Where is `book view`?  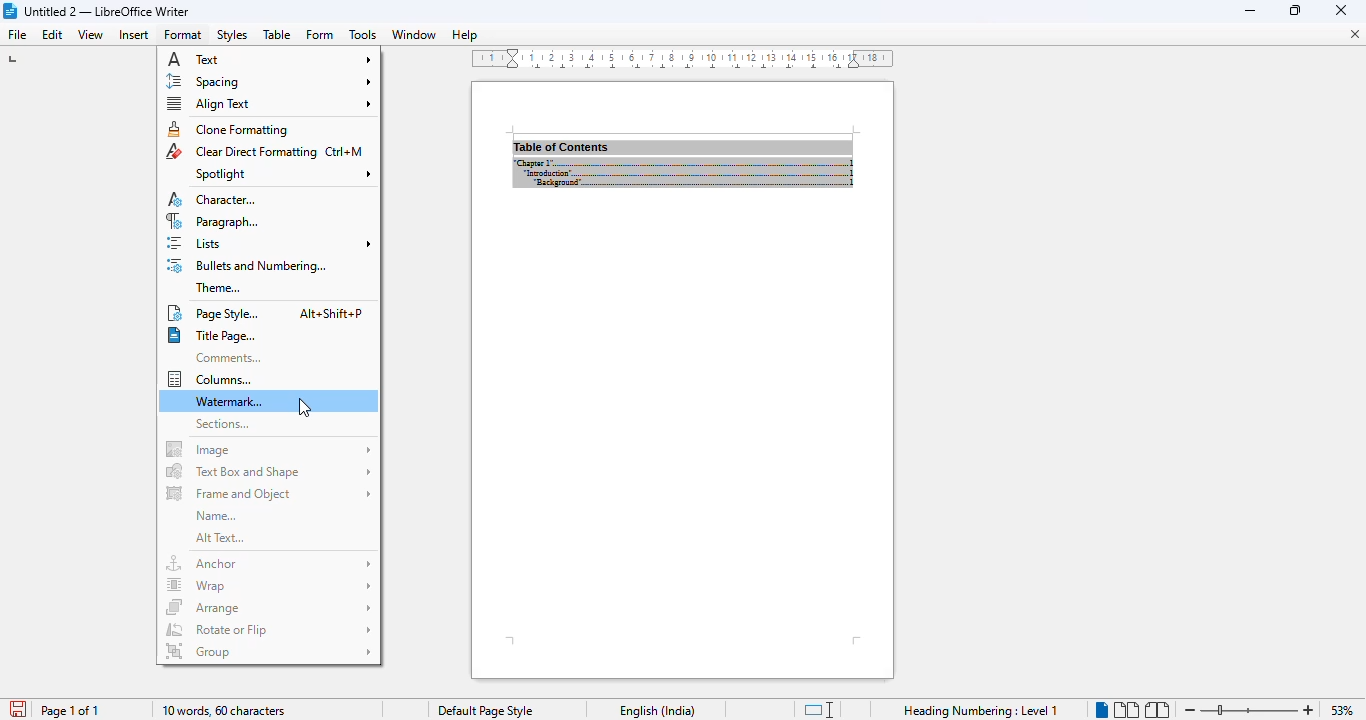
book view is located at coordinates (1156, 710).